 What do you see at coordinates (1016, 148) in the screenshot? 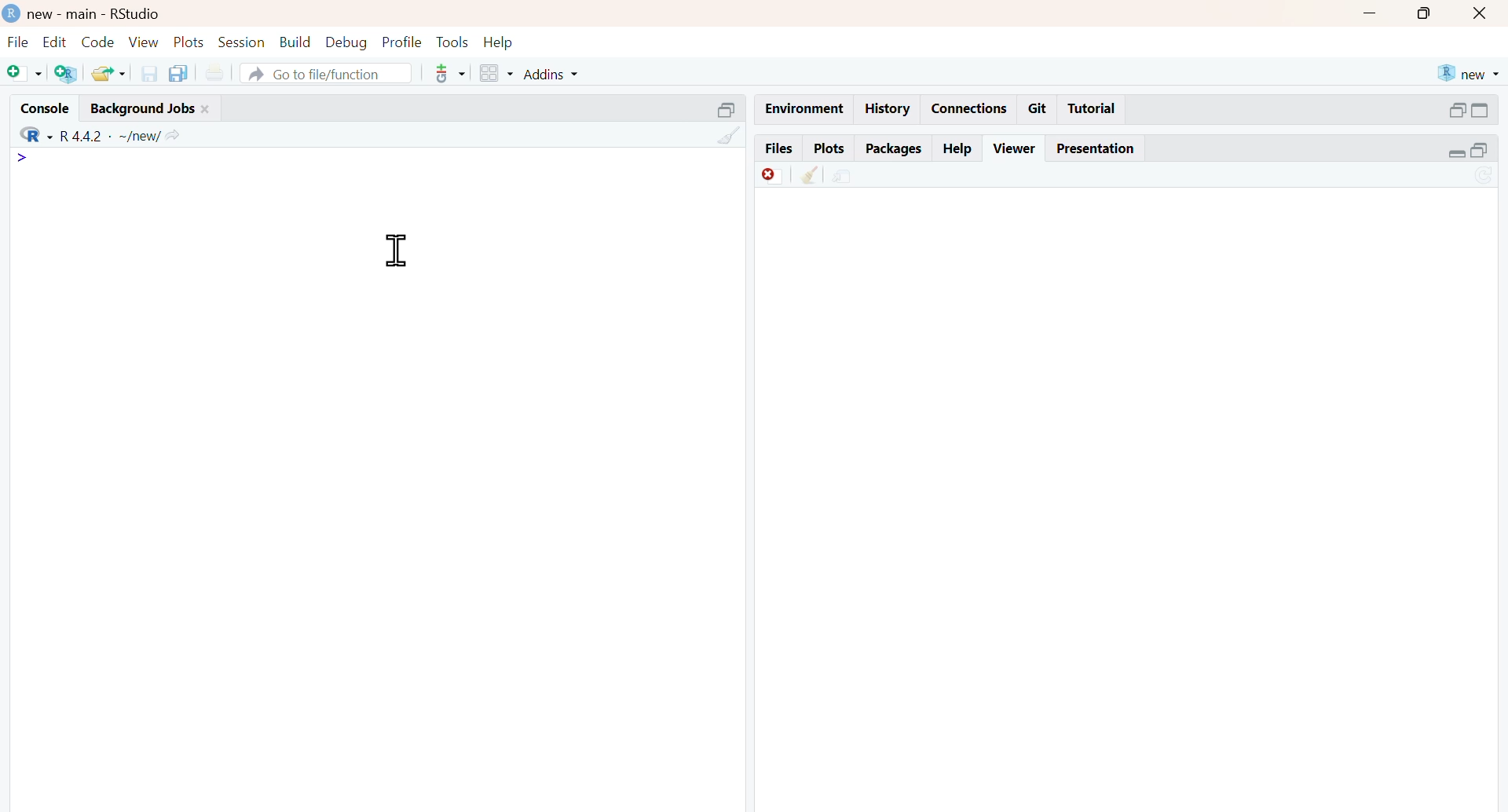
I see `viewer` at bounding box center [1016, 148].